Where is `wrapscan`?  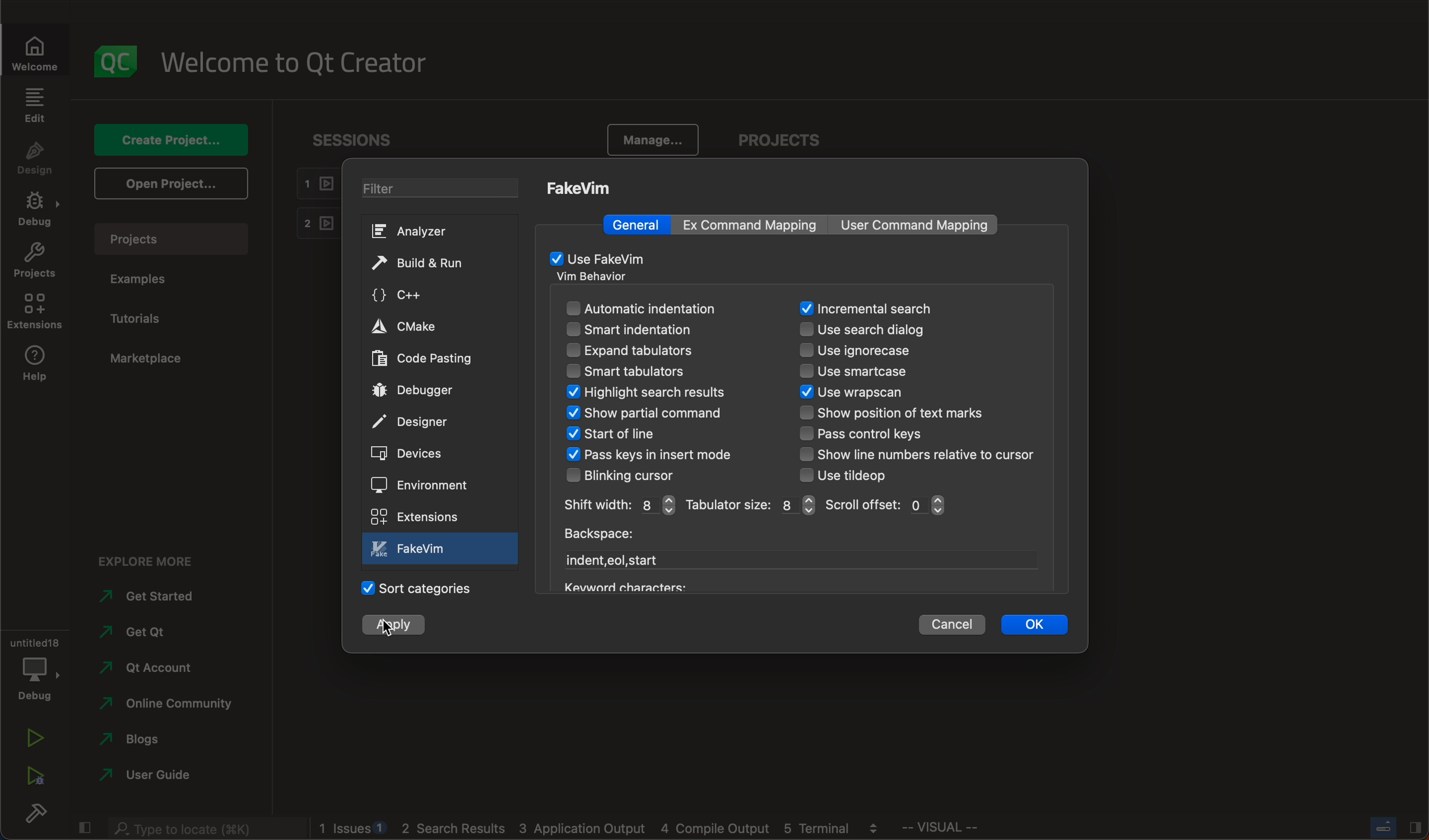 wrapscan is located at coordinates (874, 393).